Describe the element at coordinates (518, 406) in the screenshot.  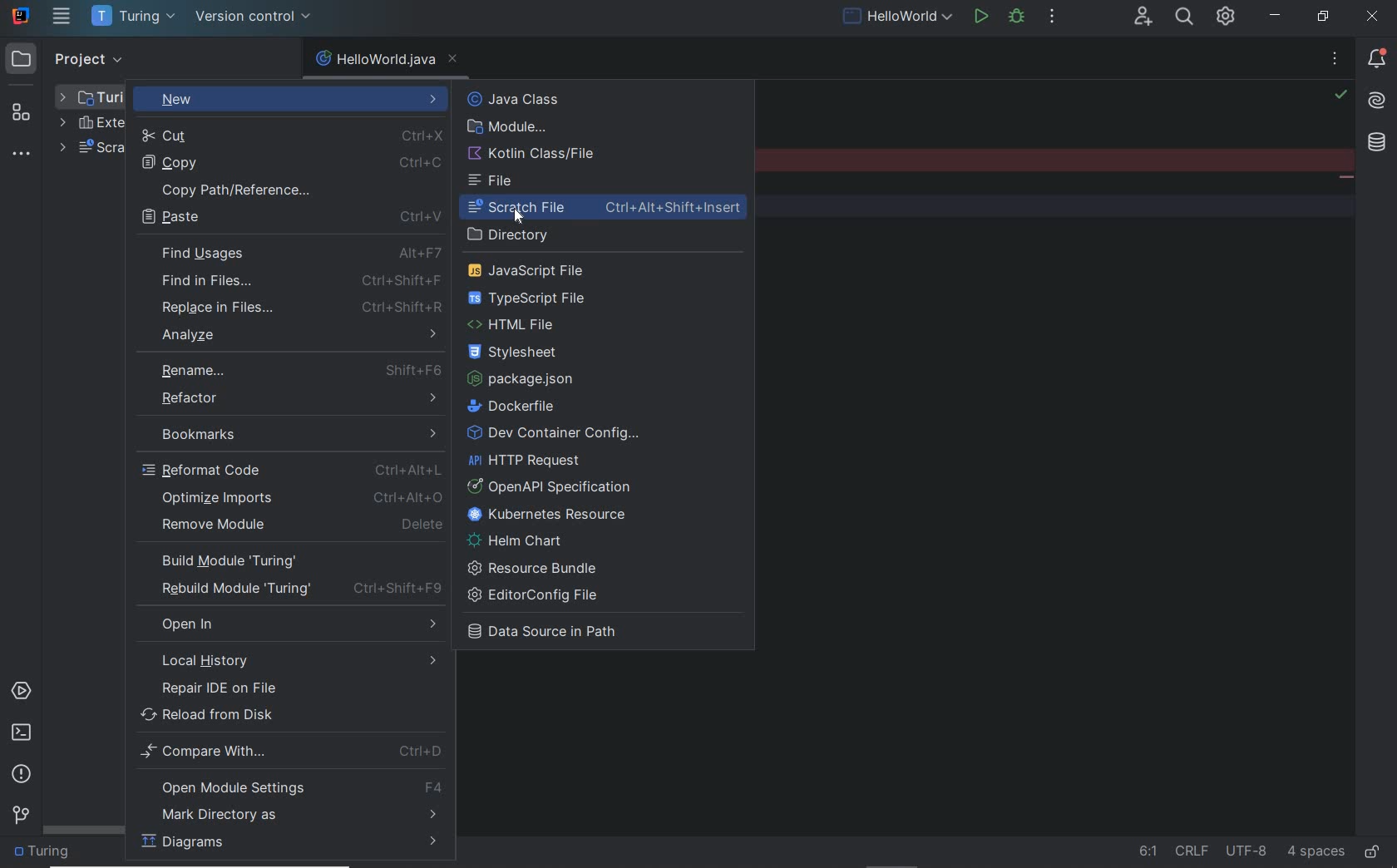
I see `dockerfile` at that location.